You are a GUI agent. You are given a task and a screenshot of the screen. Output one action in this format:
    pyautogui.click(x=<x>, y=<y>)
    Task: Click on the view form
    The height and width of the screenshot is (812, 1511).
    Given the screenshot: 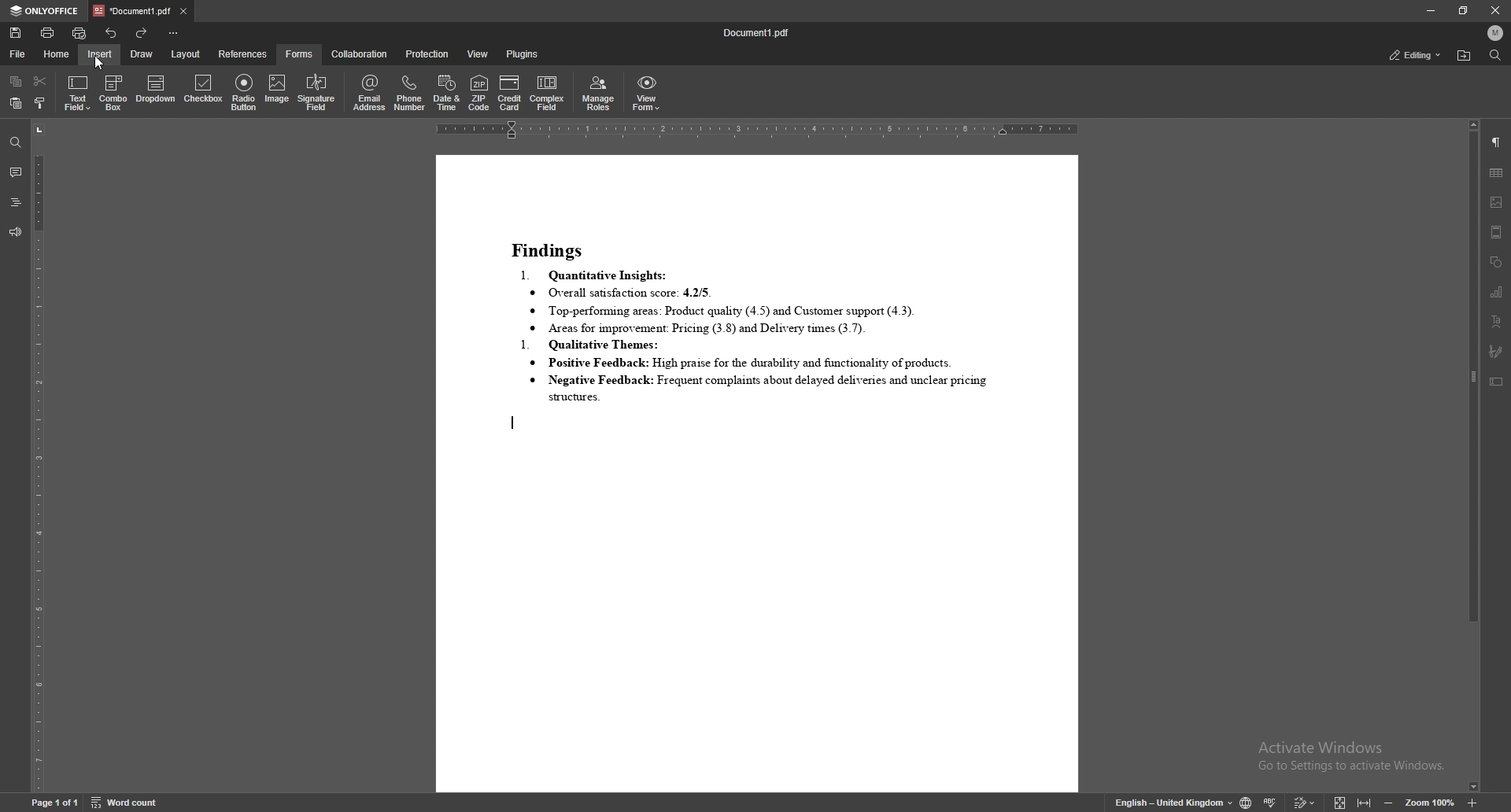 What is the action you would take?
    pyautogui.click(x=648, y=93)
    